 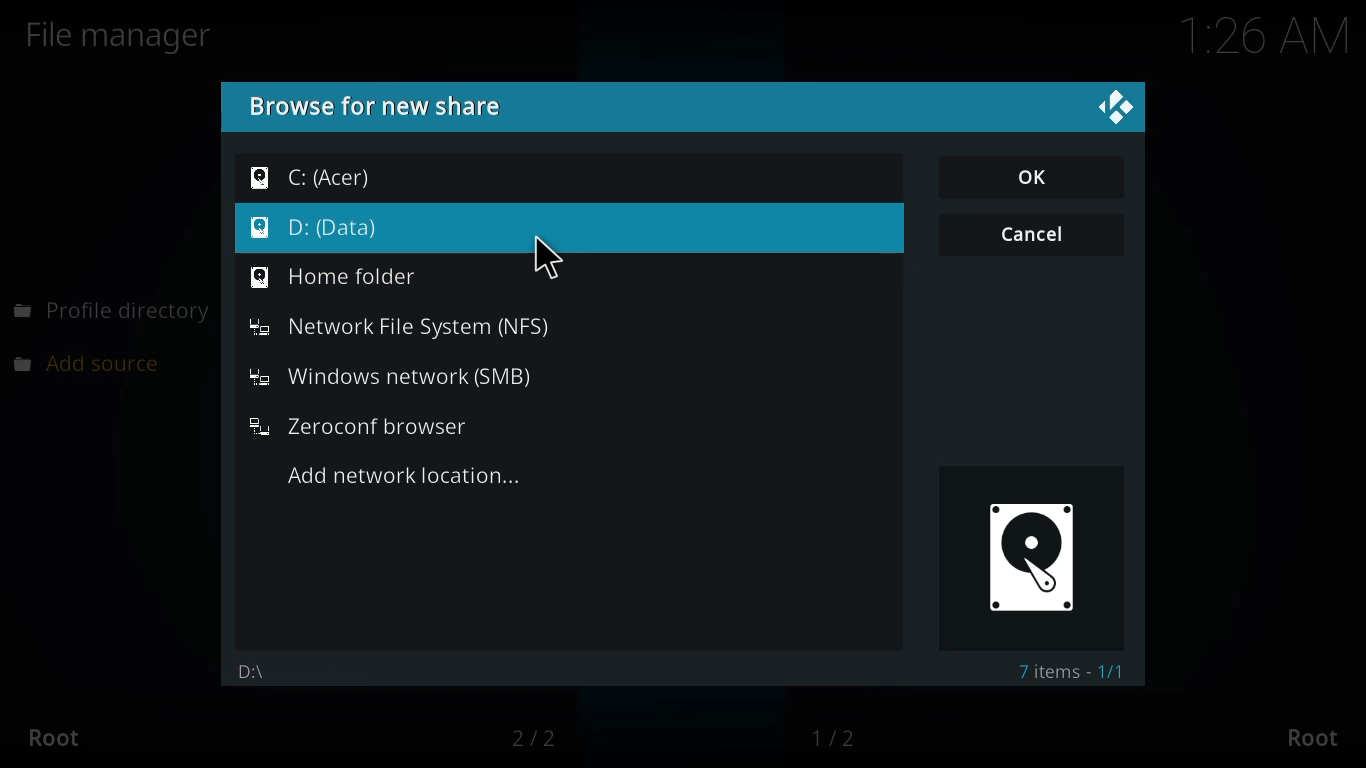 I want to click on windows network, so click(x=401, y=377).